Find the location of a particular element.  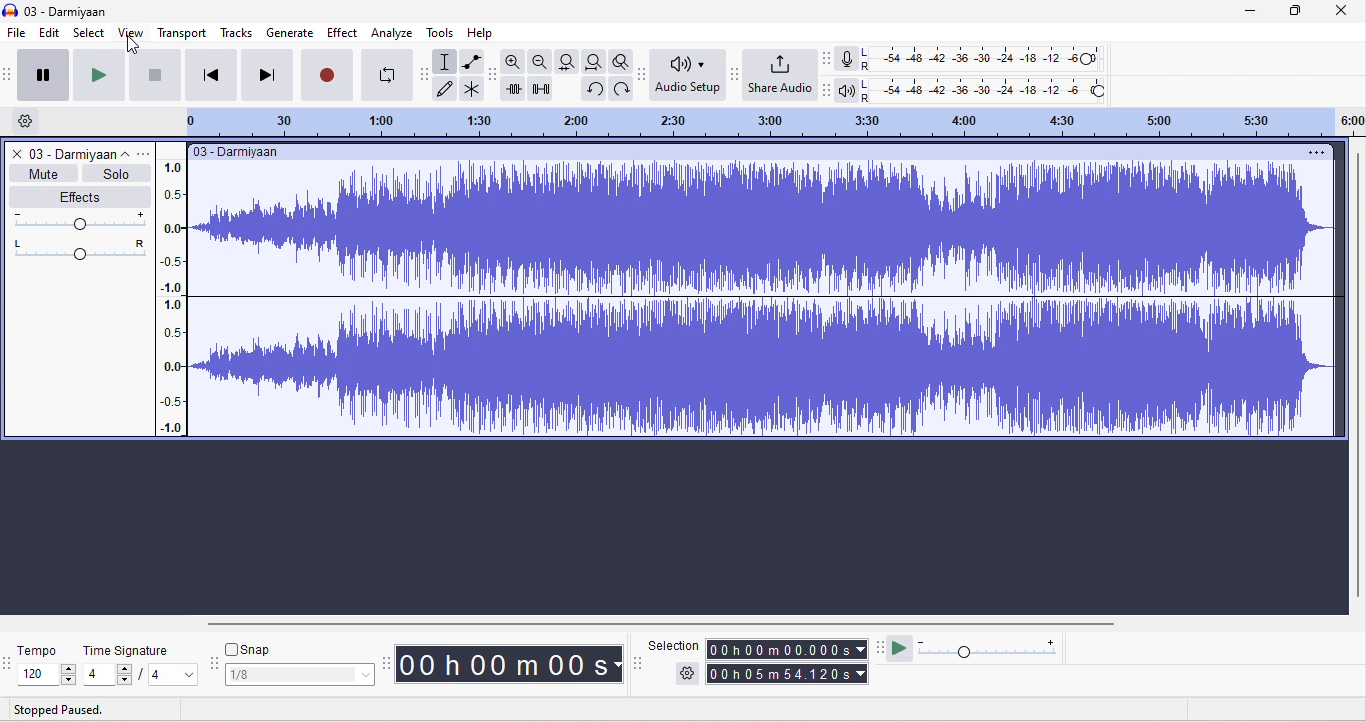

view is located at coordinates (132, 32).